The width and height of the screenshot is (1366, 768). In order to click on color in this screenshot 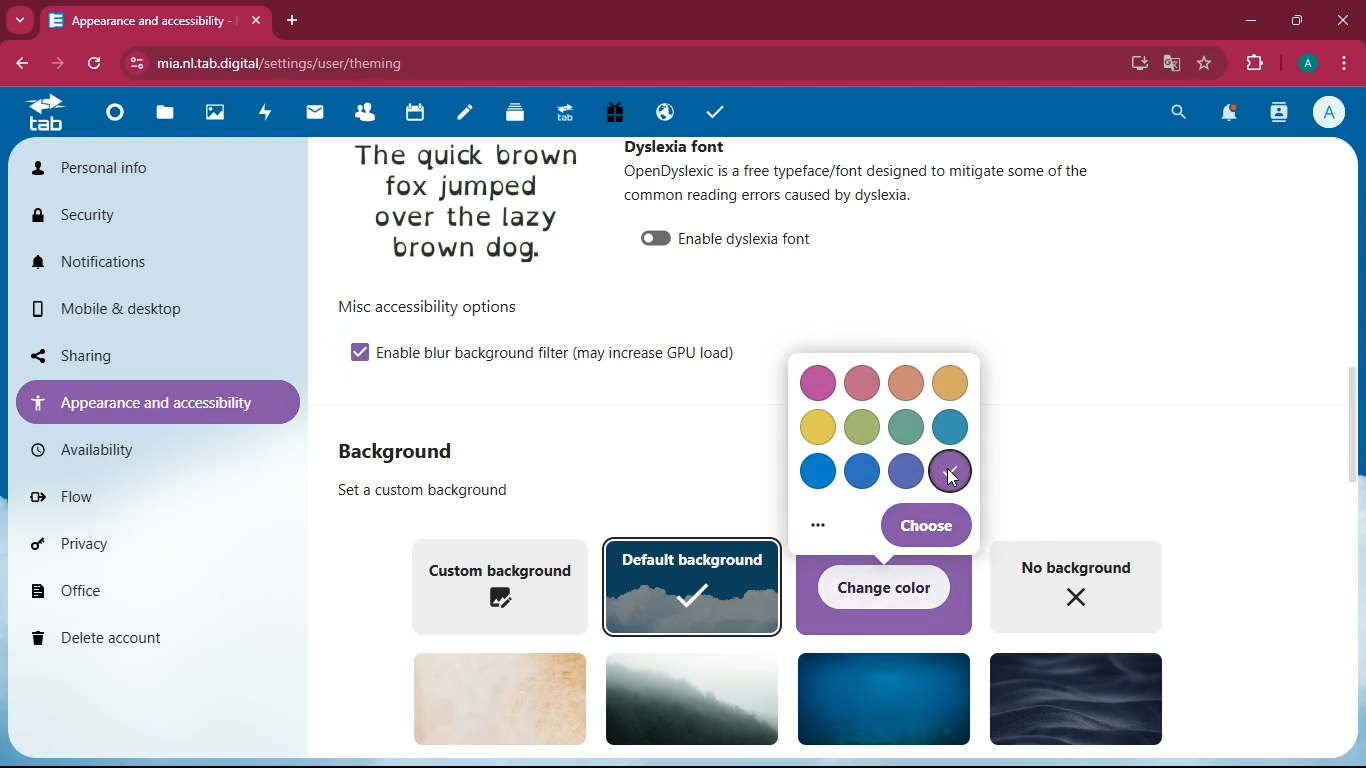, I will do `click(815, 427)`.